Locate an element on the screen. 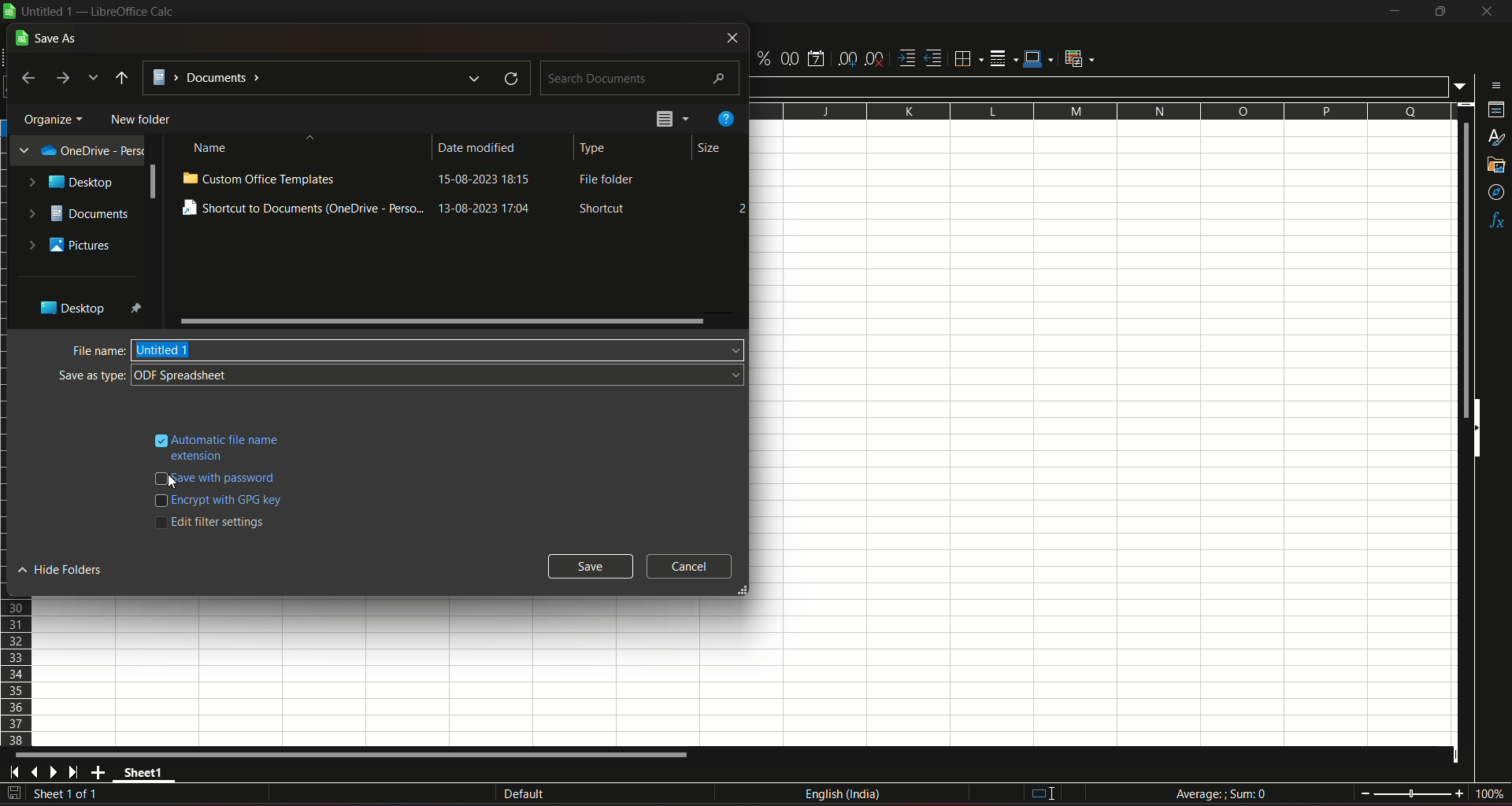 Image resolution: width=1512 pixels, height=806 pixels. dropdown is located at coordinates (94, 79).